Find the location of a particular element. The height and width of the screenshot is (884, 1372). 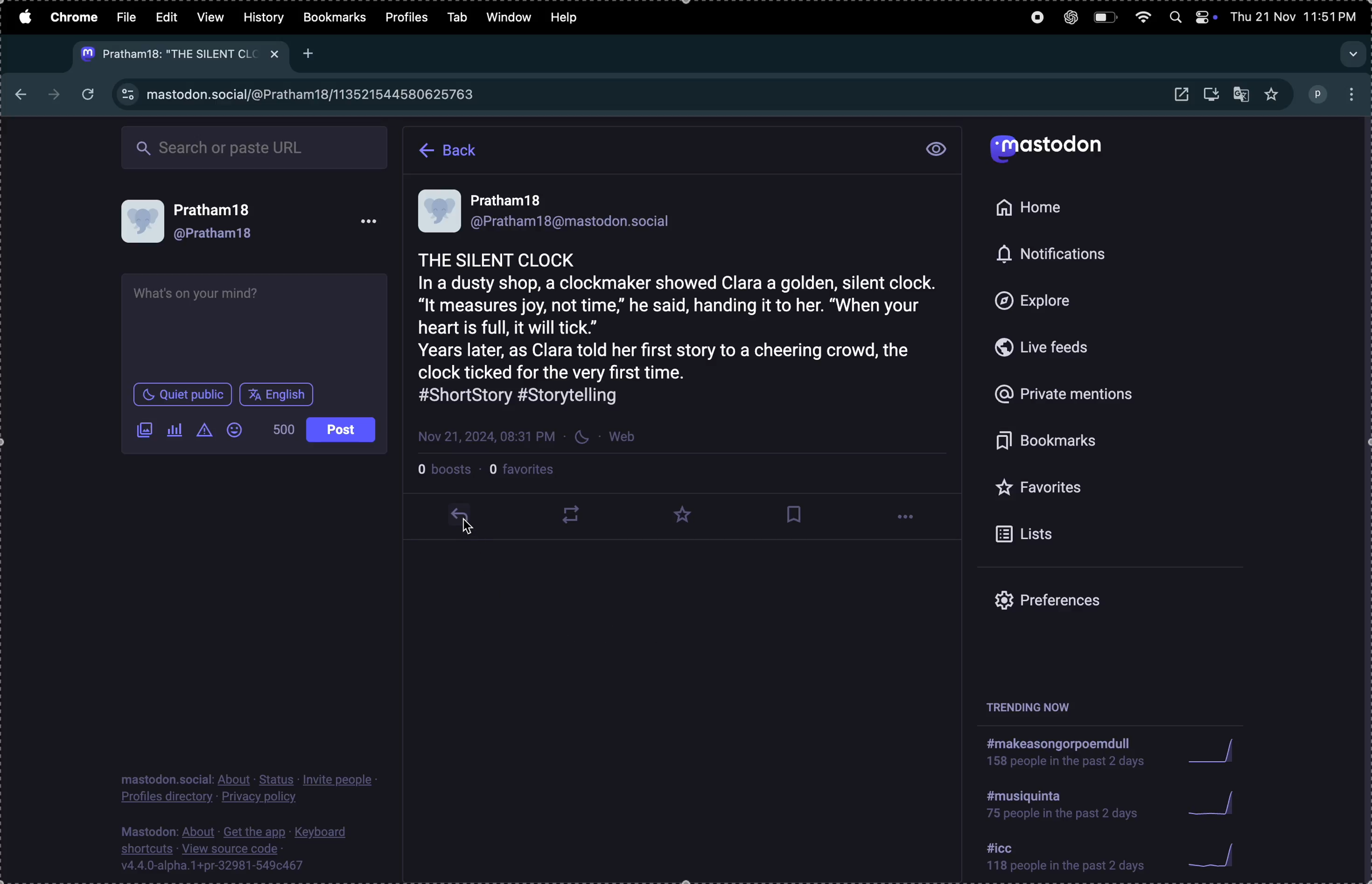

content warning is located at coordinates (203, 430).